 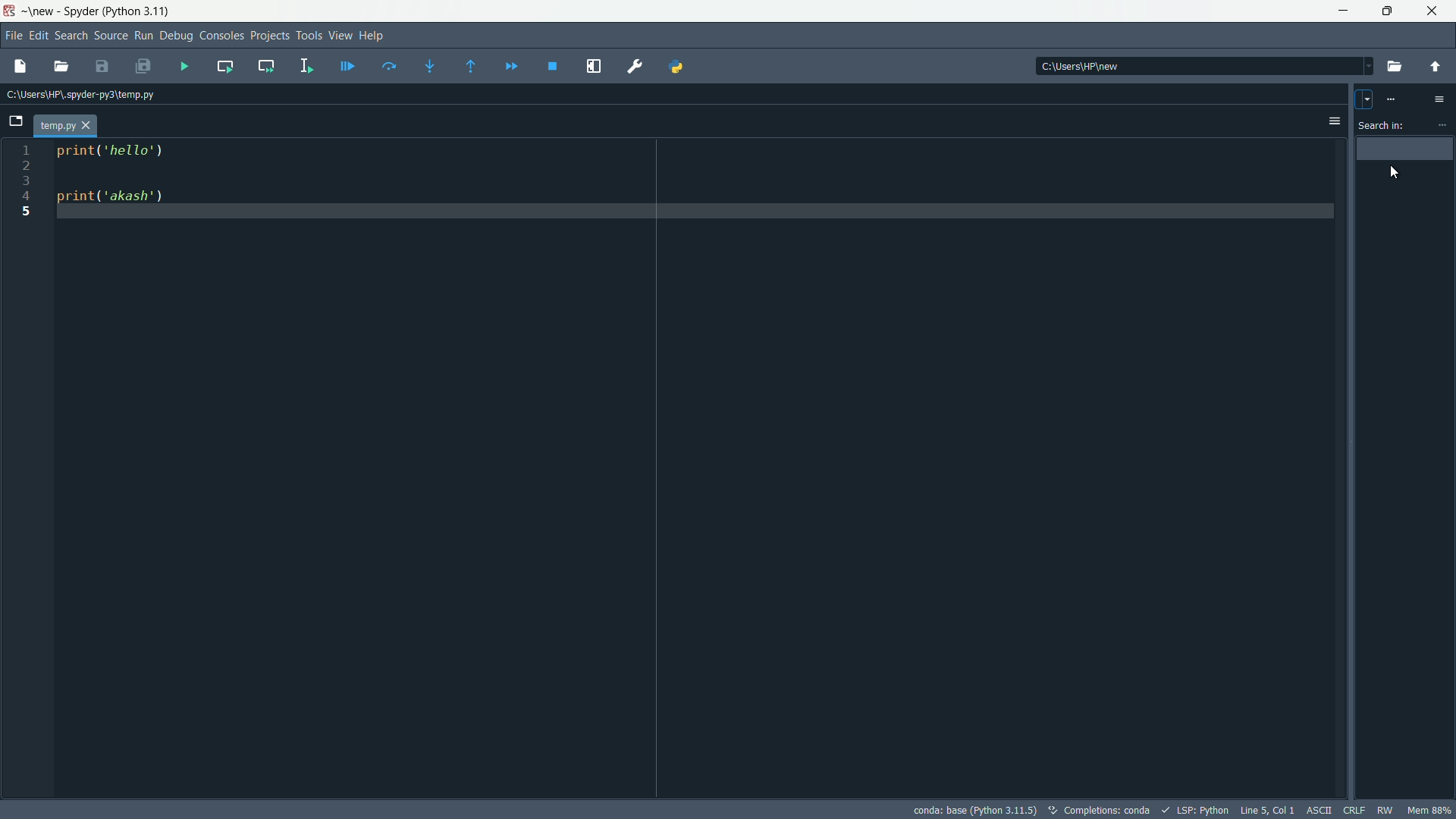 What do you see at coordinates (1362, 97) in the screenshot?
I see `Dropdown` at bounding box center [1362, 97].